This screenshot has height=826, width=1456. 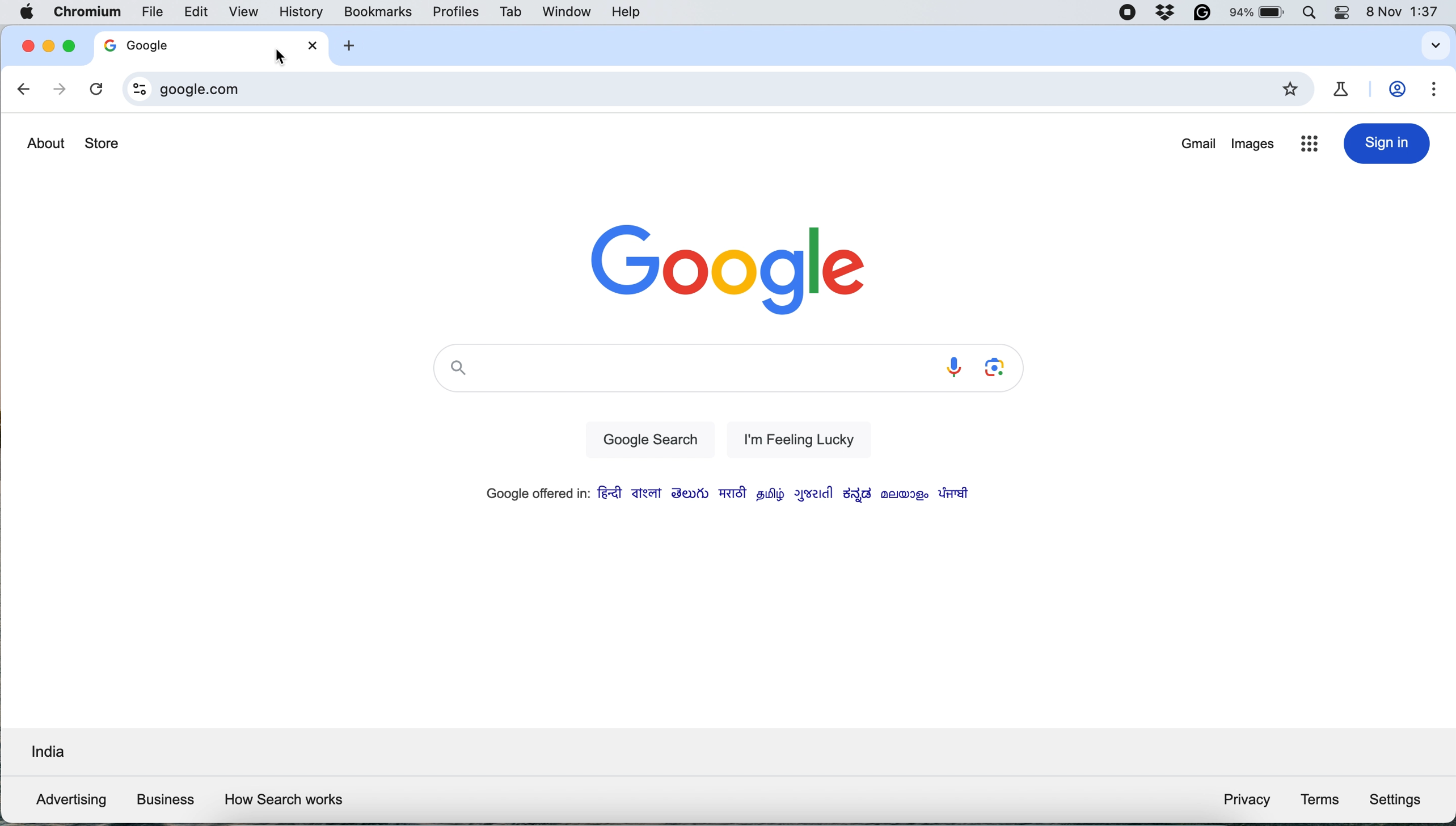 What do you see at coordinates (153, 11) in the screenshot?
I see `file` at bounding box center [153, 11].